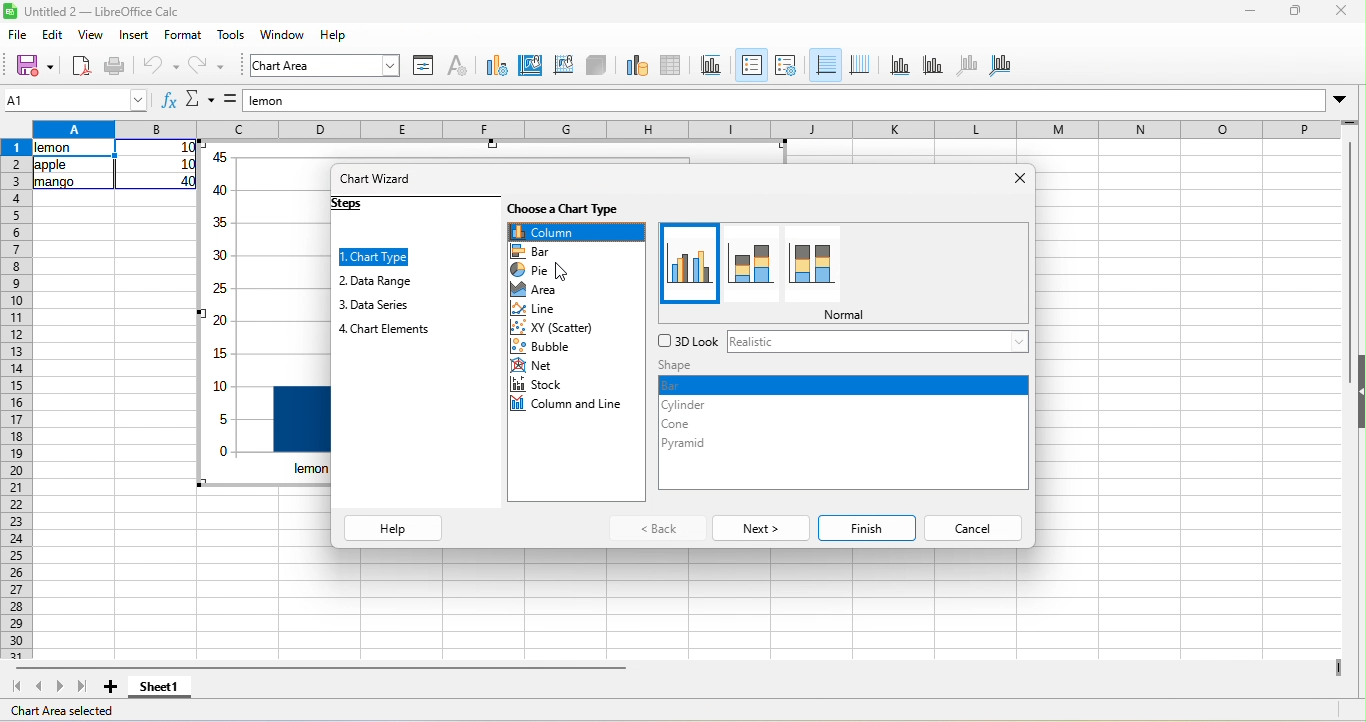  I want to click on data tables, so click(674, 65).